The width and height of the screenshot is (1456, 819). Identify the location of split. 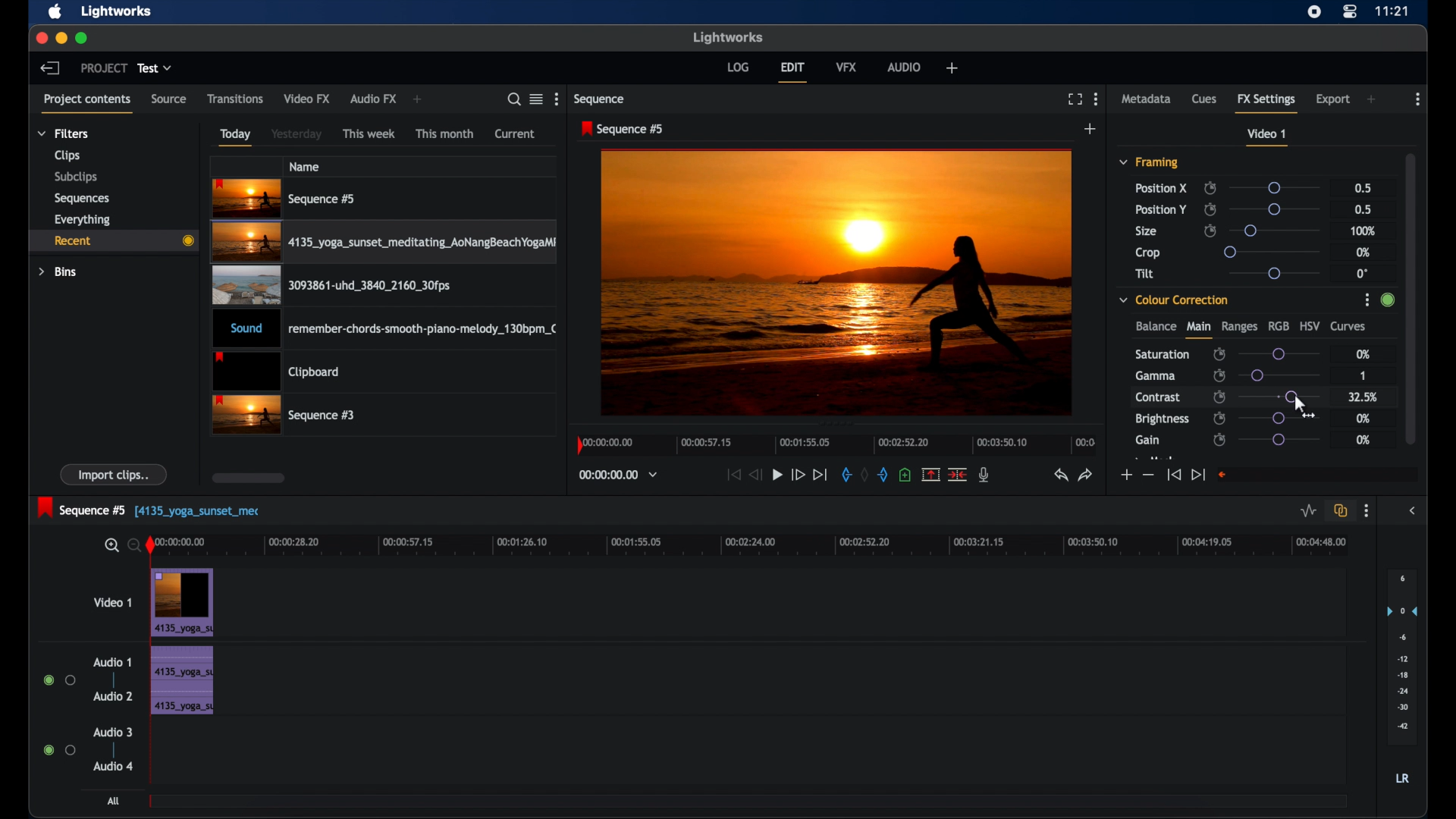
(959, 473).